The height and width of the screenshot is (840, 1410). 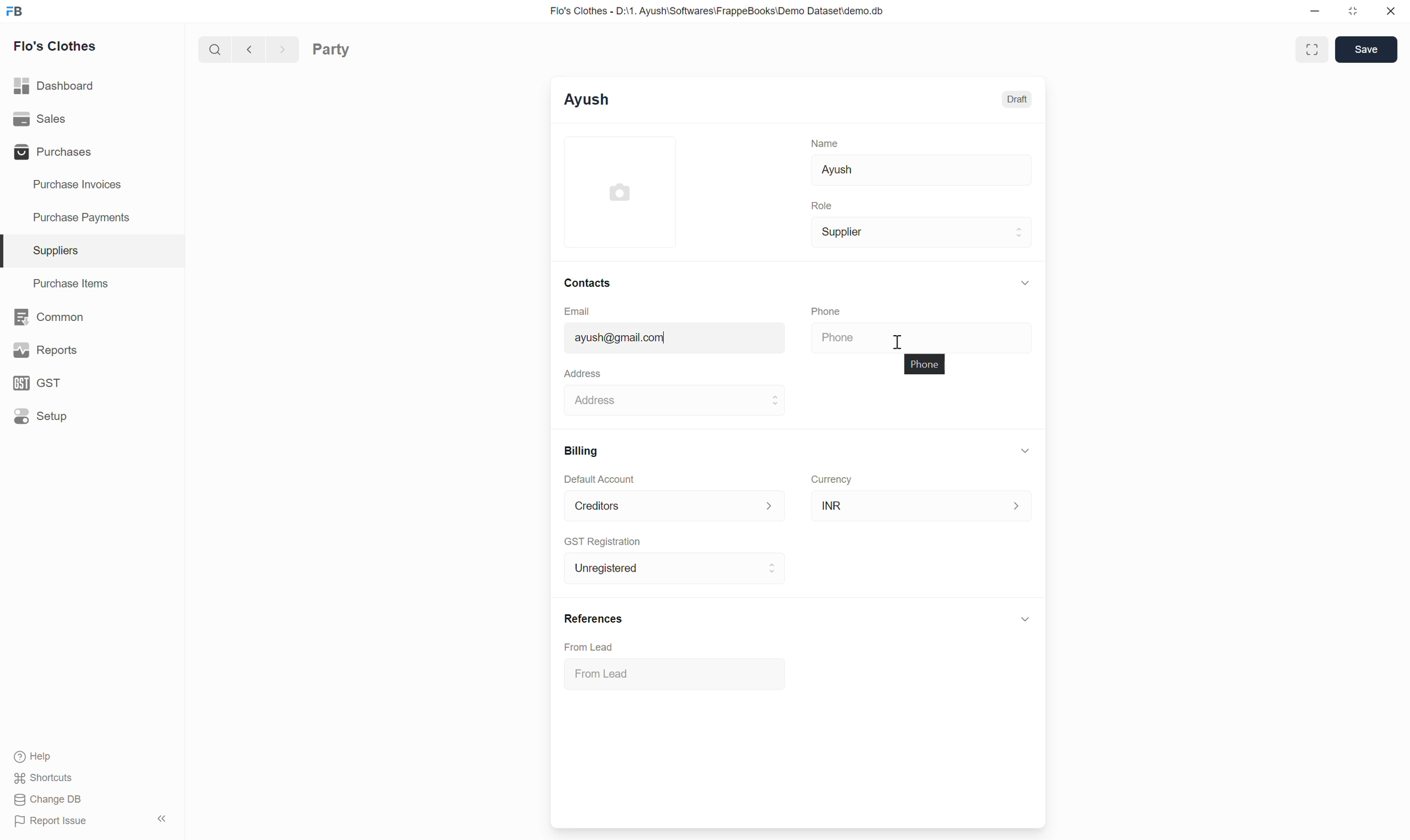 I want to click on Default Account, so click(x=600, y=478).